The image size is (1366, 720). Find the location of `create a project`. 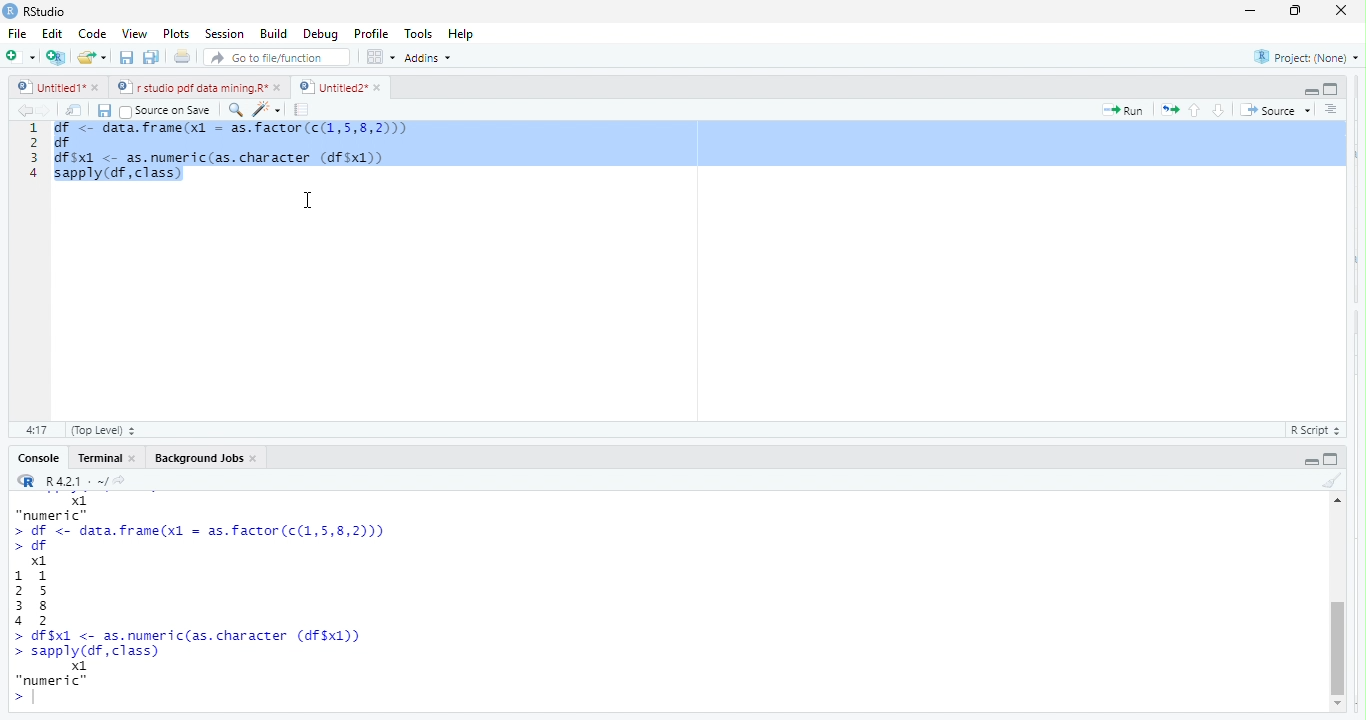

create a project is located at coordinates (56, 58).